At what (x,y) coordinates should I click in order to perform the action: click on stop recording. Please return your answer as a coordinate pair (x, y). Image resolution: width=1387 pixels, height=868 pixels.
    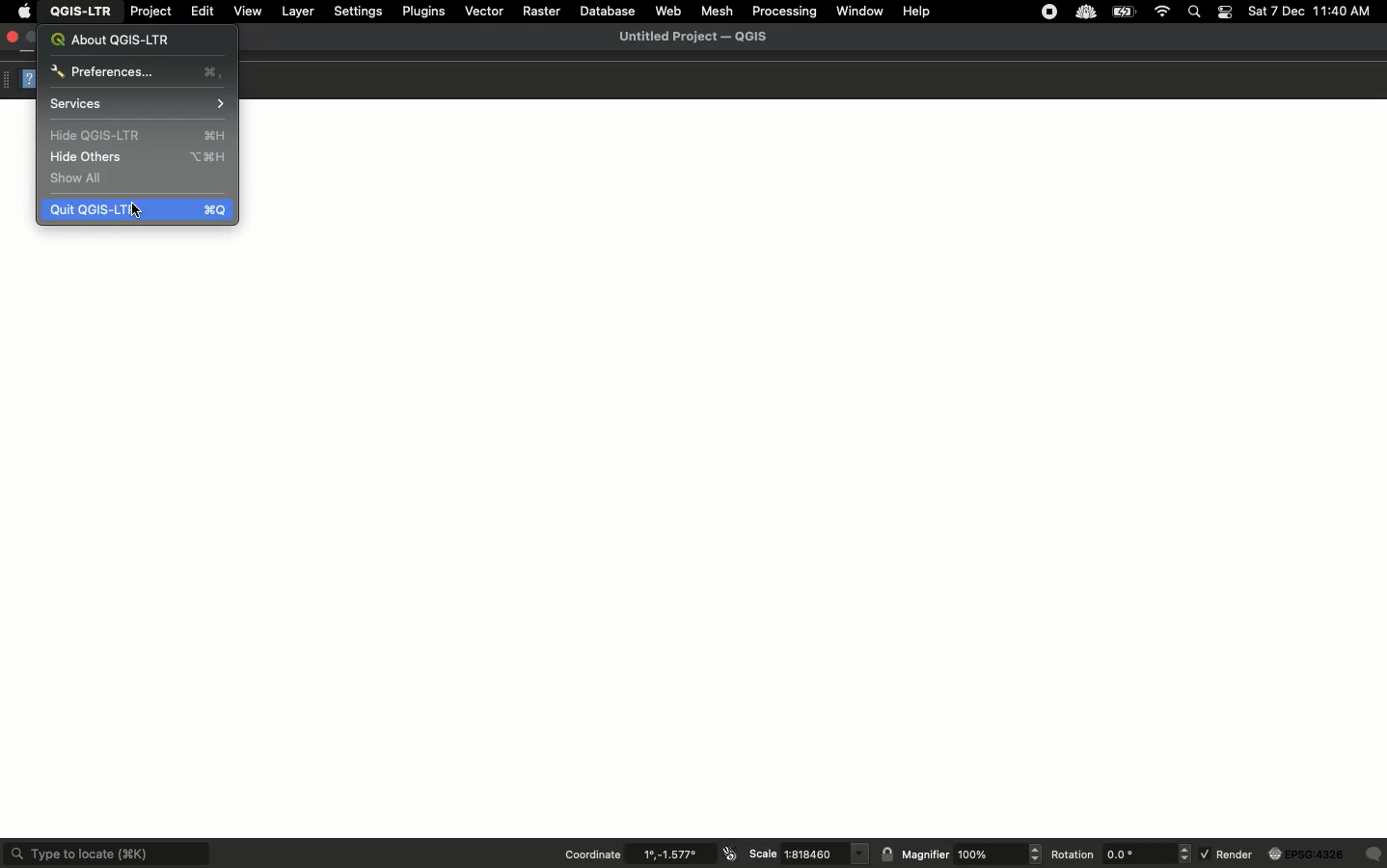
    Looking at the image, I should click on (1050, 16).